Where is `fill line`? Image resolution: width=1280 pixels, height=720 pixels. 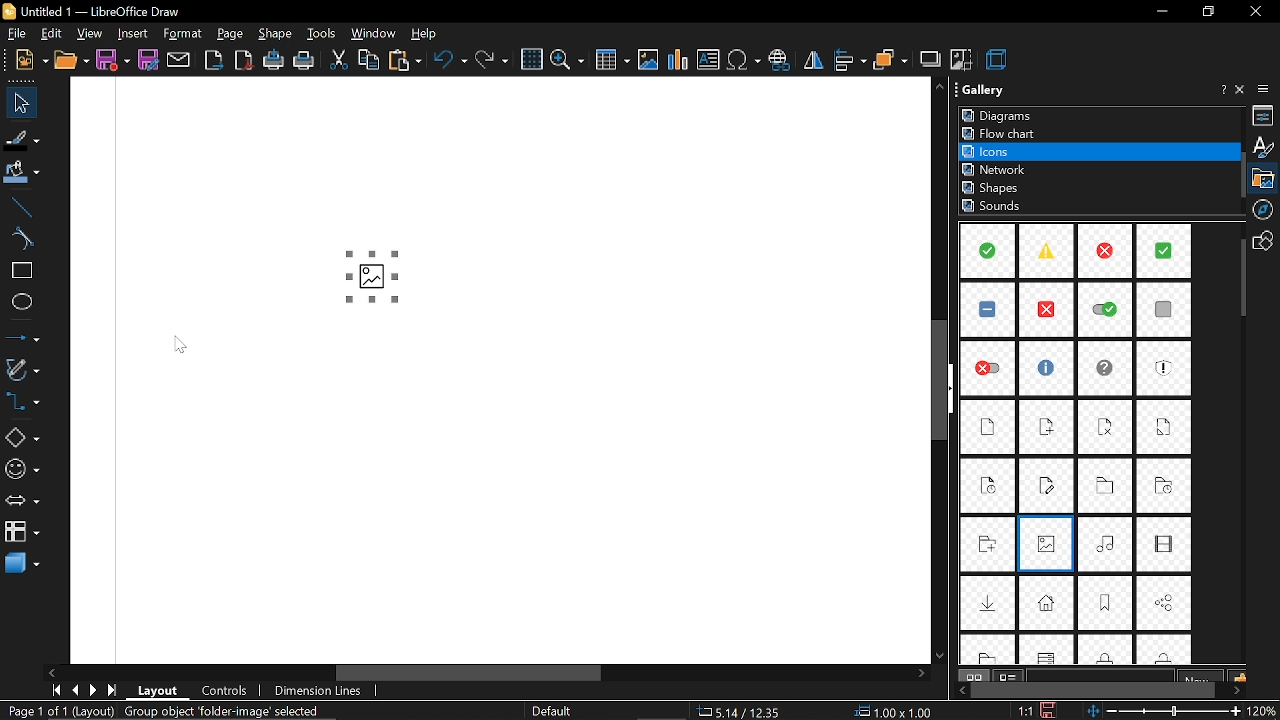
fill line is located at coordinates (20, 137).